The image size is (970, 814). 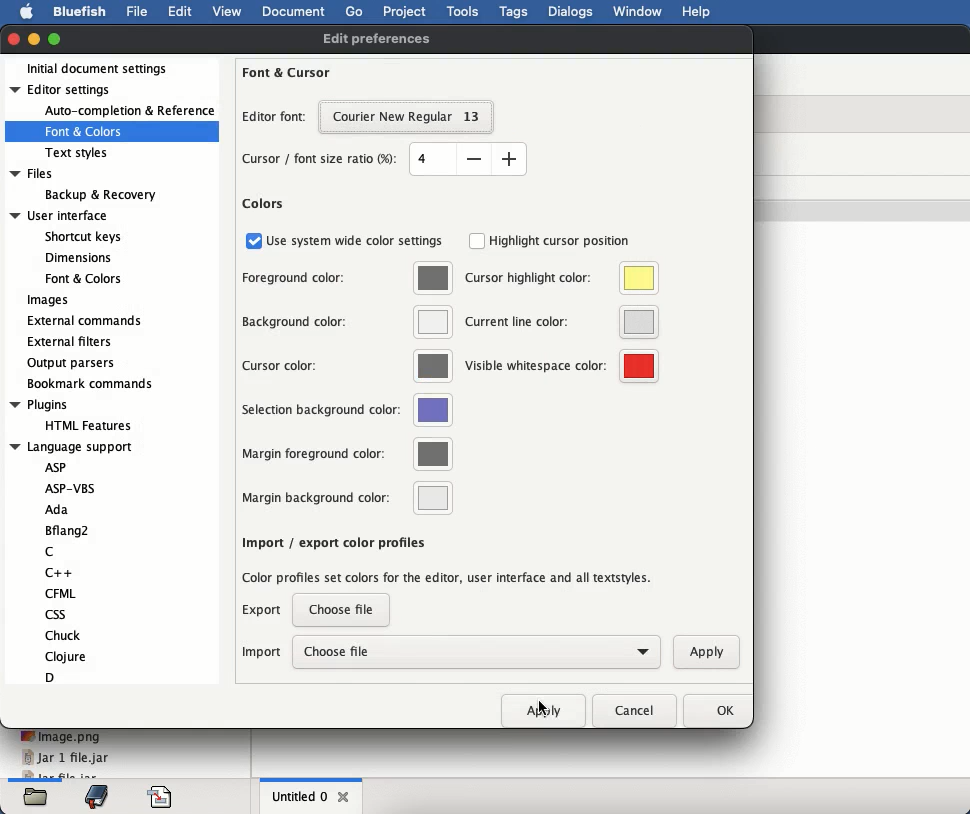 What do you see at coordinates (349, 411) in the screenshot?
I see `selection background color` at bounding box center [349, 411].